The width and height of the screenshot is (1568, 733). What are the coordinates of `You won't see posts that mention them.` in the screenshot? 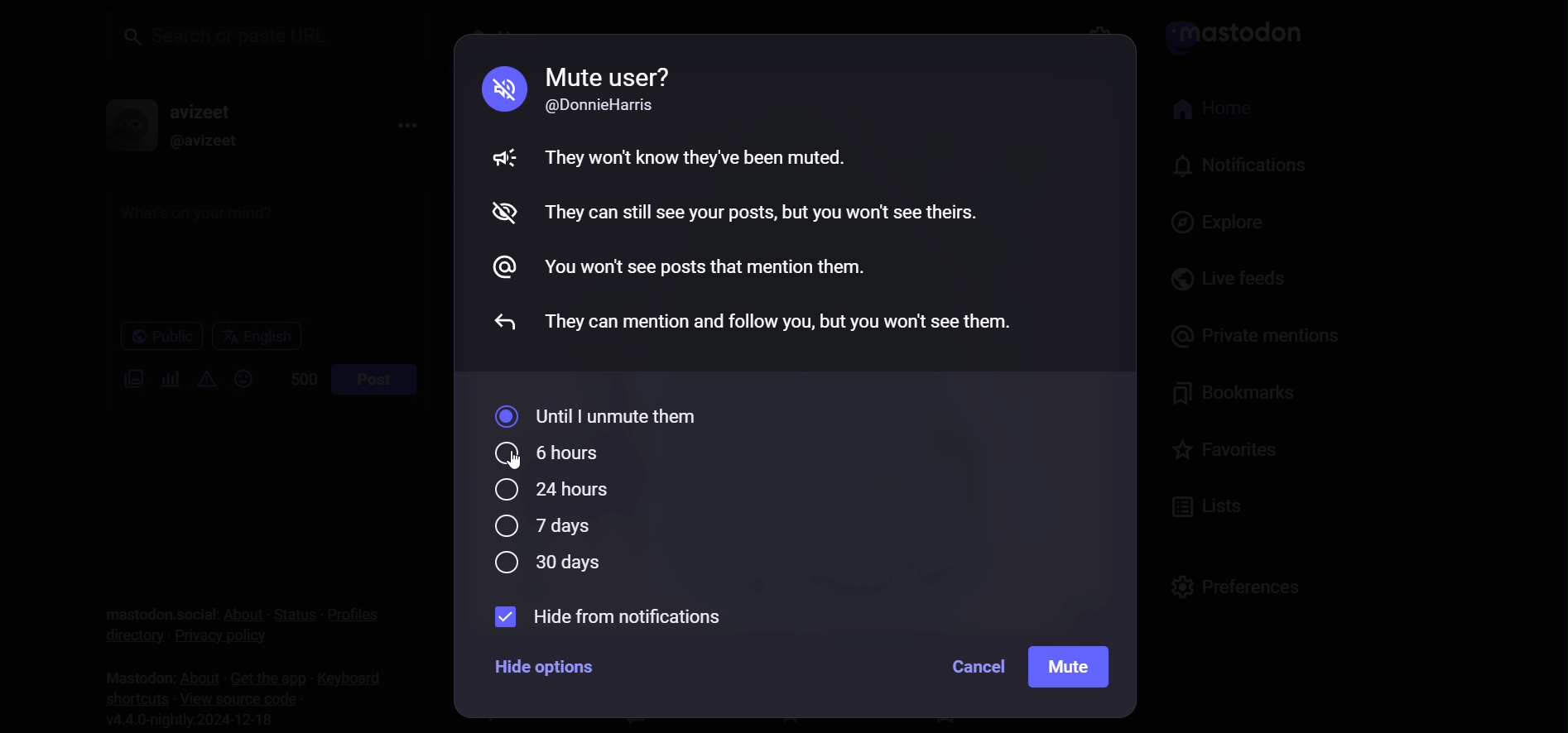 It's located at (707, 271).